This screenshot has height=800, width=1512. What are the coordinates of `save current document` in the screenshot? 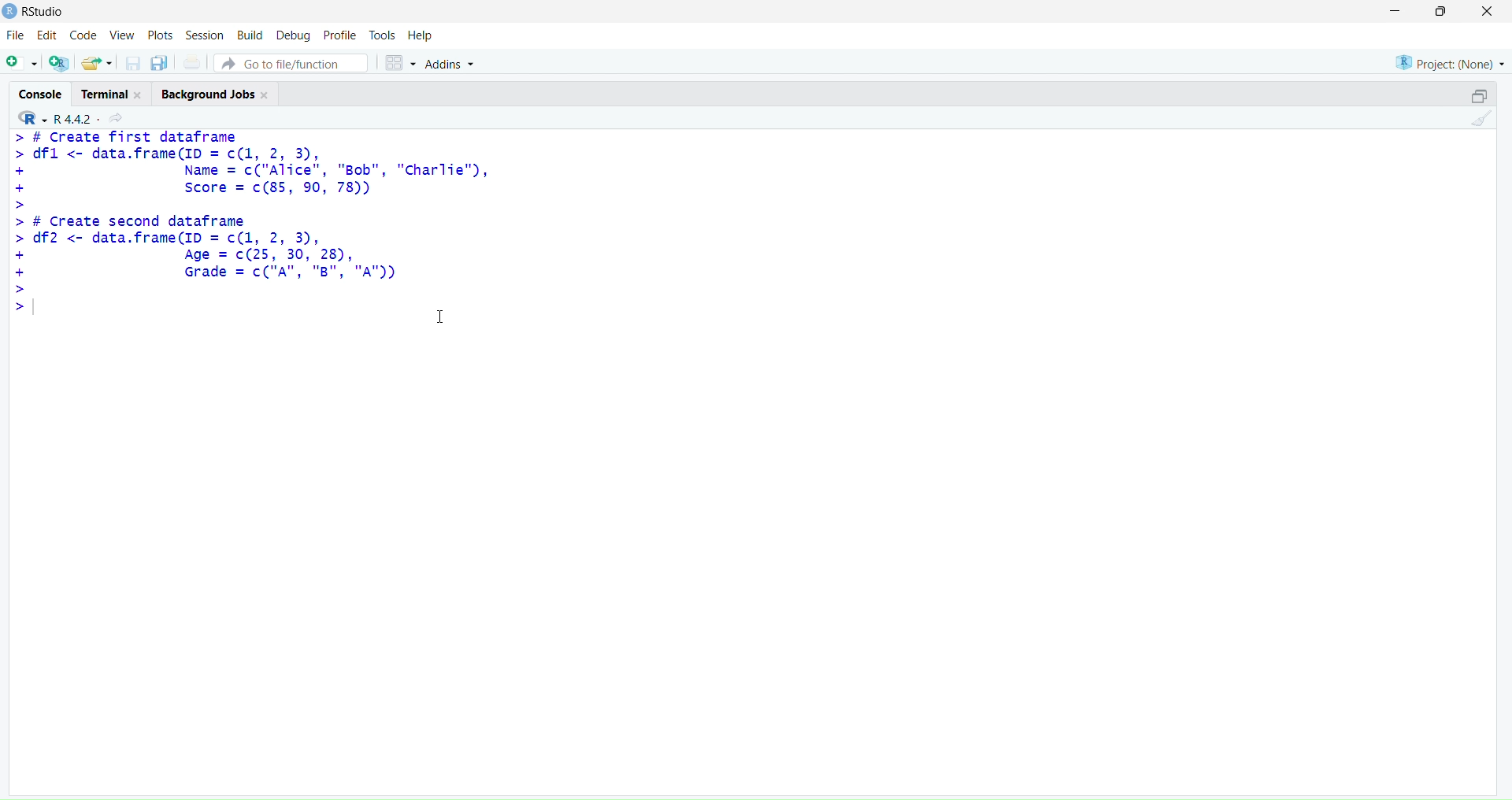 It's located at (133, 64).